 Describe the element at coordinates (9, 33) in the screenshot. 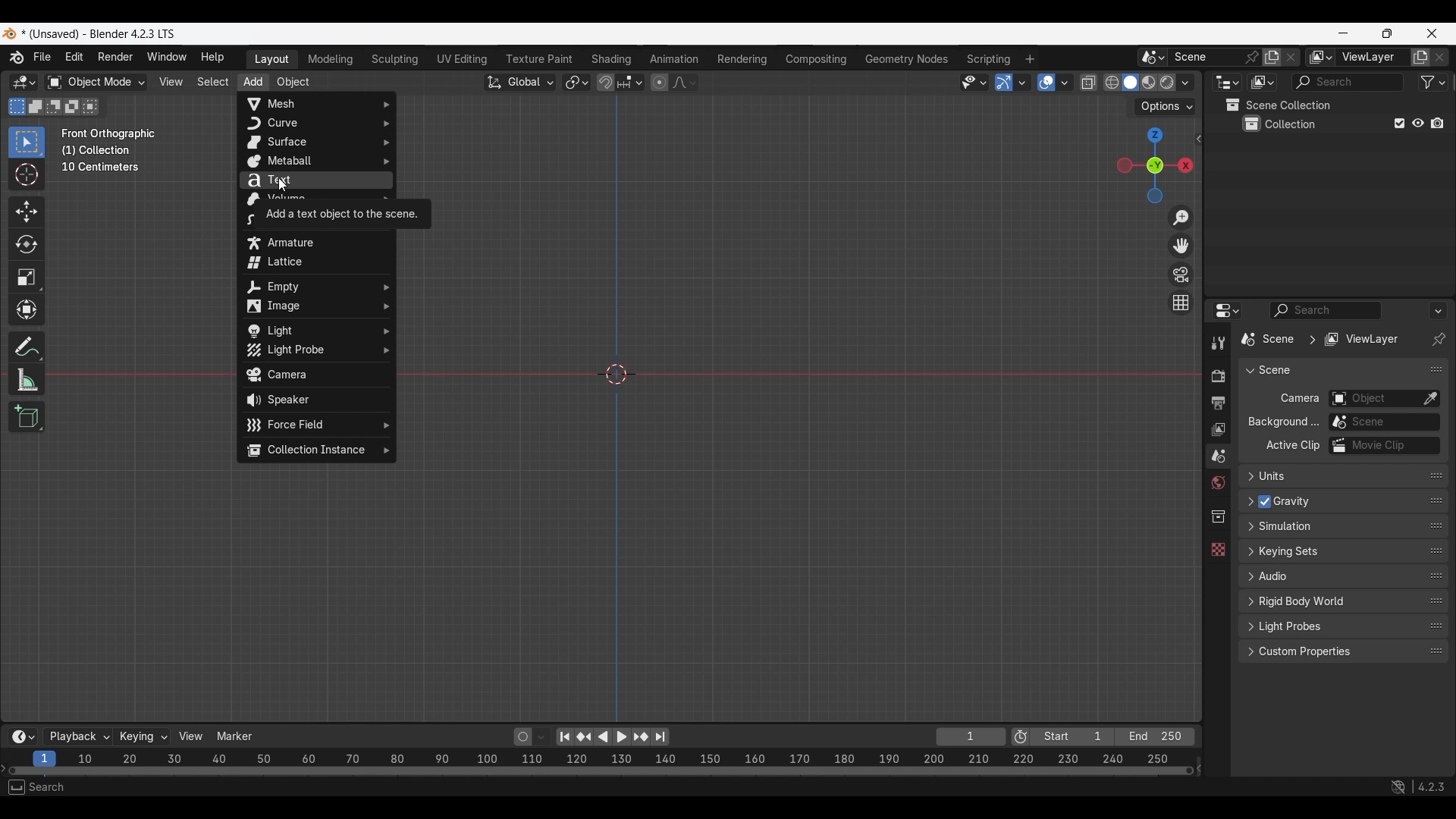

I see `Software logo` at that location.